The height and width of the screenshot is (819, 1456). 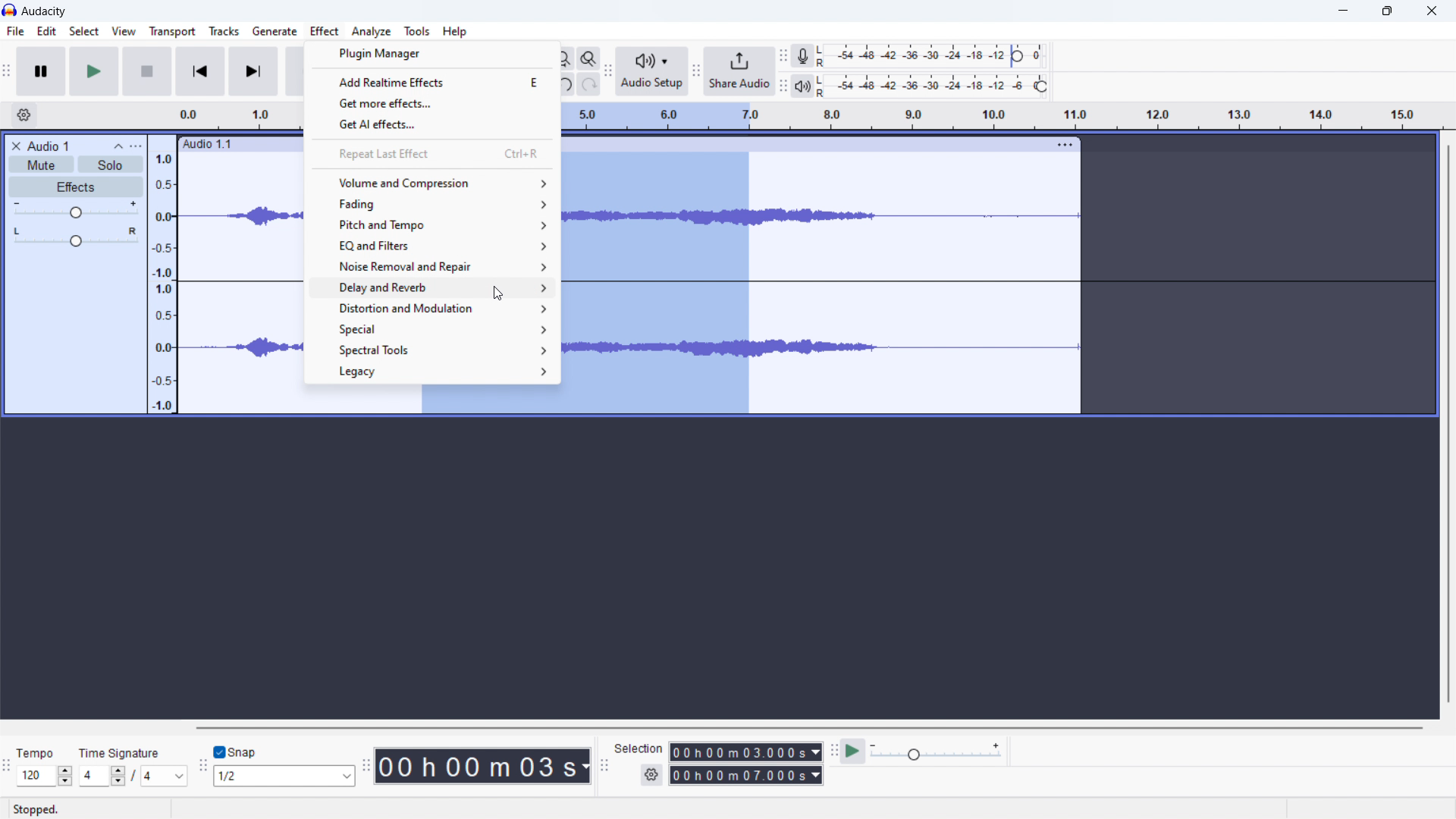 What do you see at coordinates (434, 127) in the screenshot?
I see `get AI effects..` at bounding box center [434, 127].